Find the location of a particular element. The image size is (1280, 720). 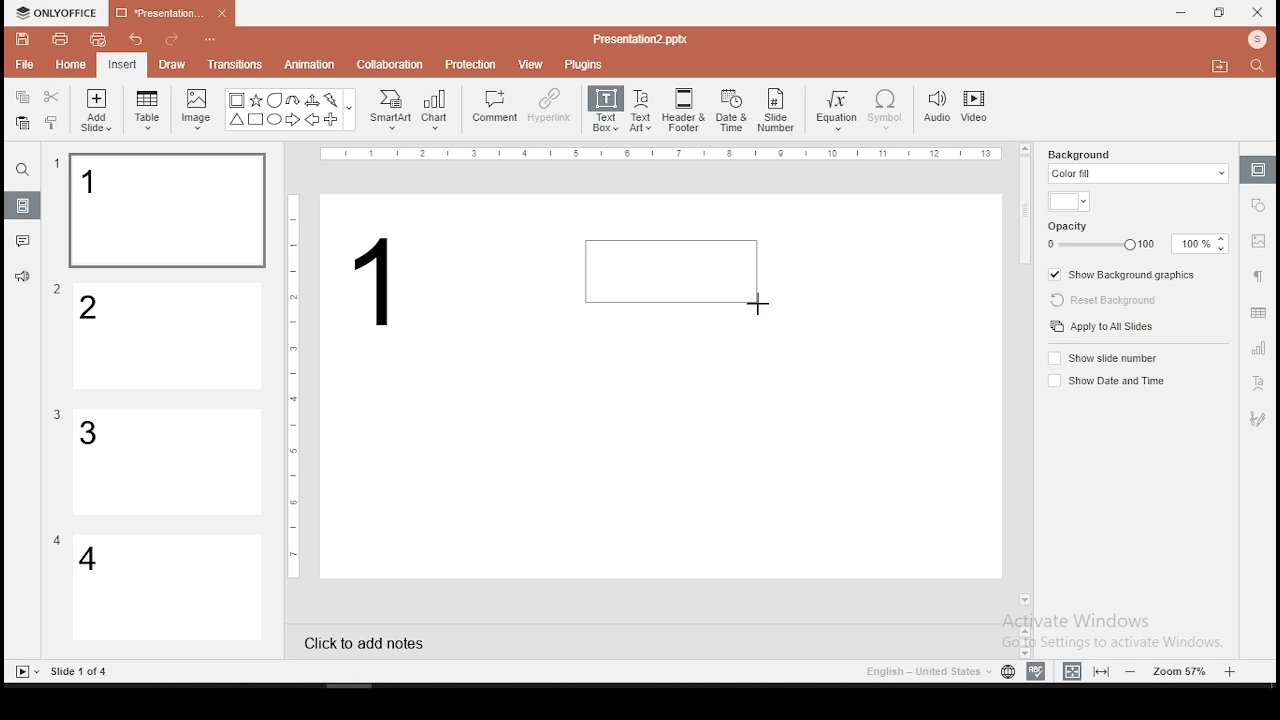

slide 1 is located at coordinates (166, 211).